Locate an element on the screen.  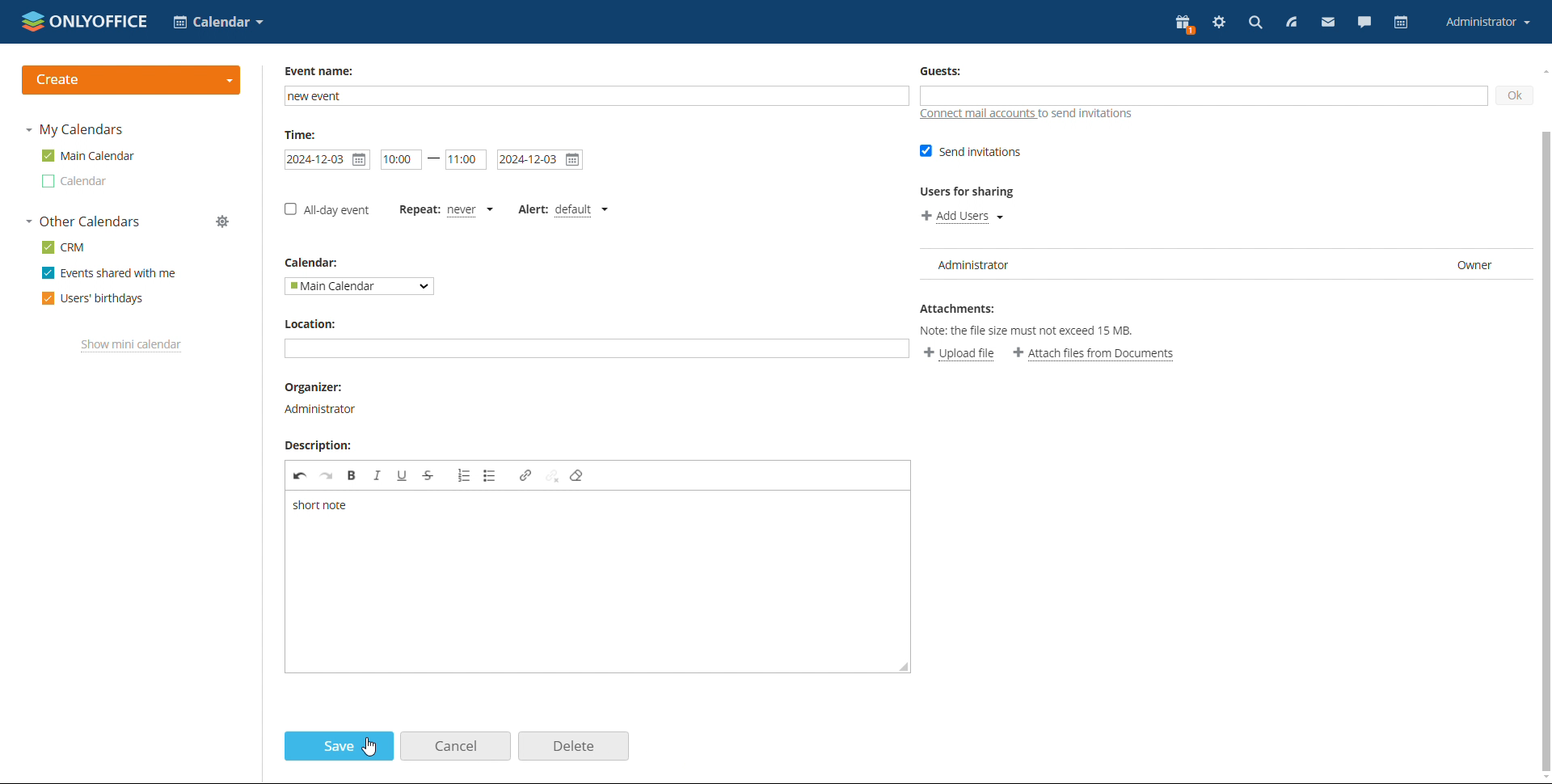
select calendar is located at coordinates (356, 286).